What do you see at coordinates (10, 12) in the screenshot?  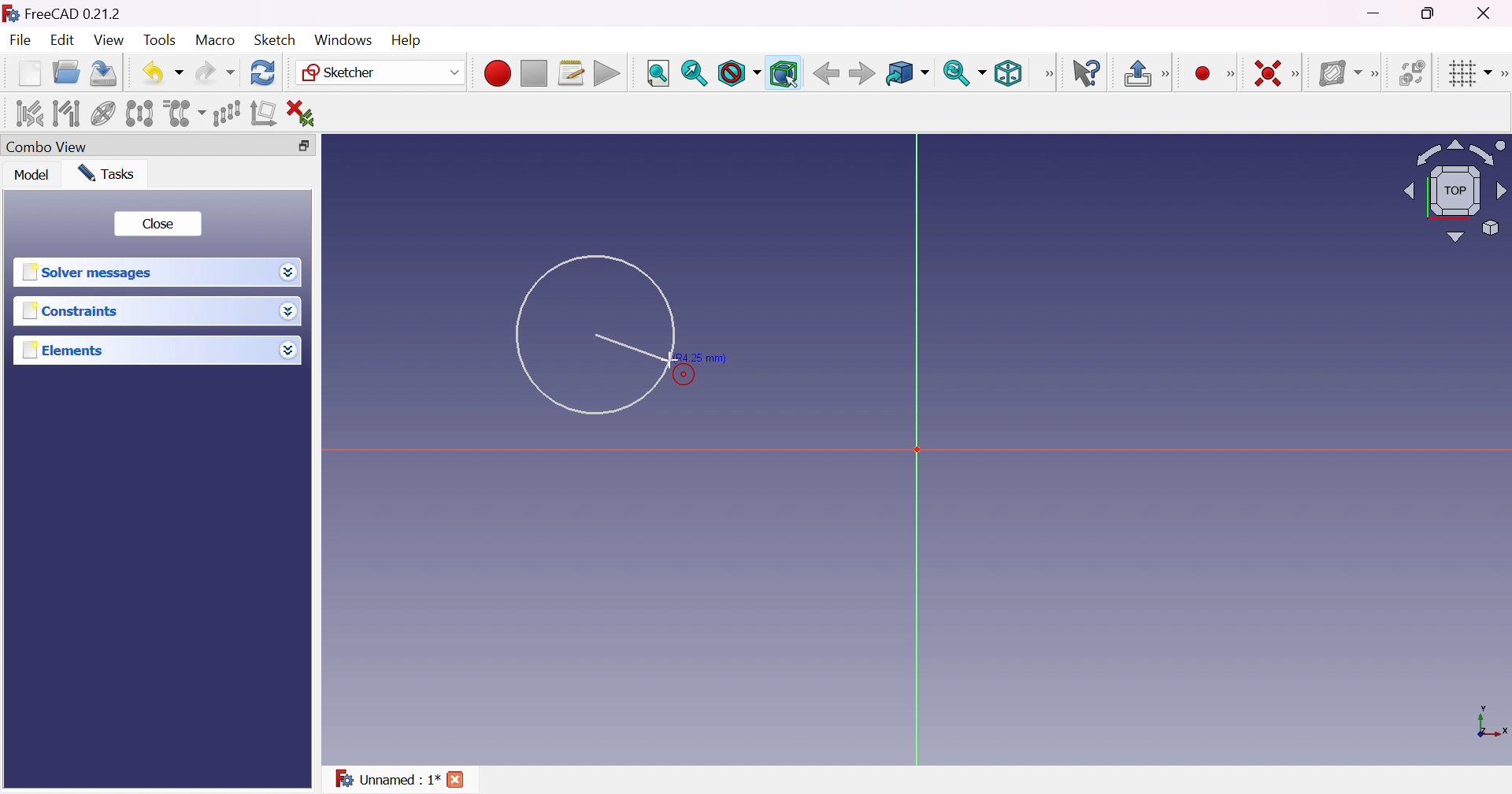 I see `logo` at bounding box center [10, 12].